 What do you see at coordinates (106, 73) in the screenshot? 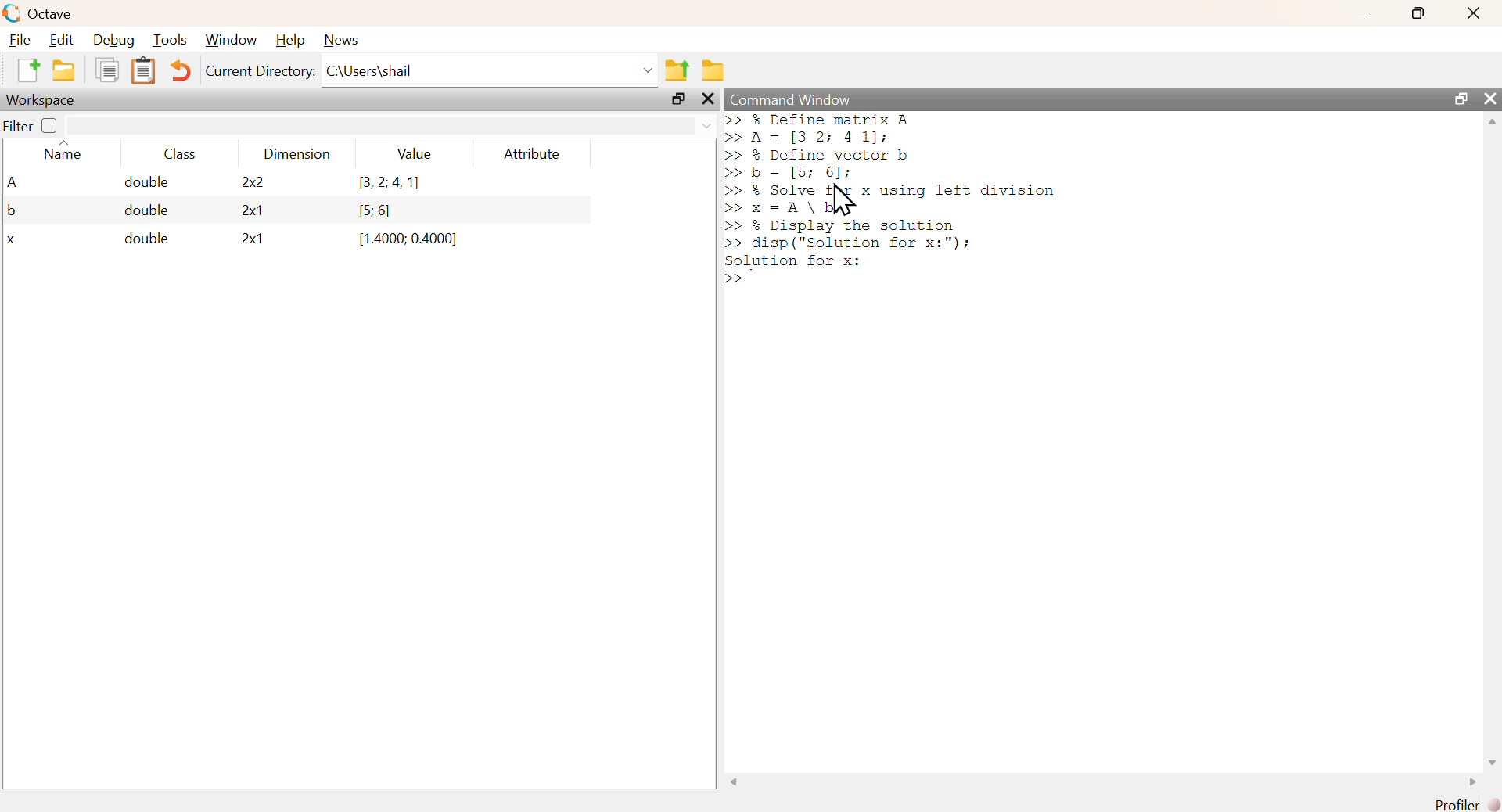
I see `copy` at bounding box center [106, 73].